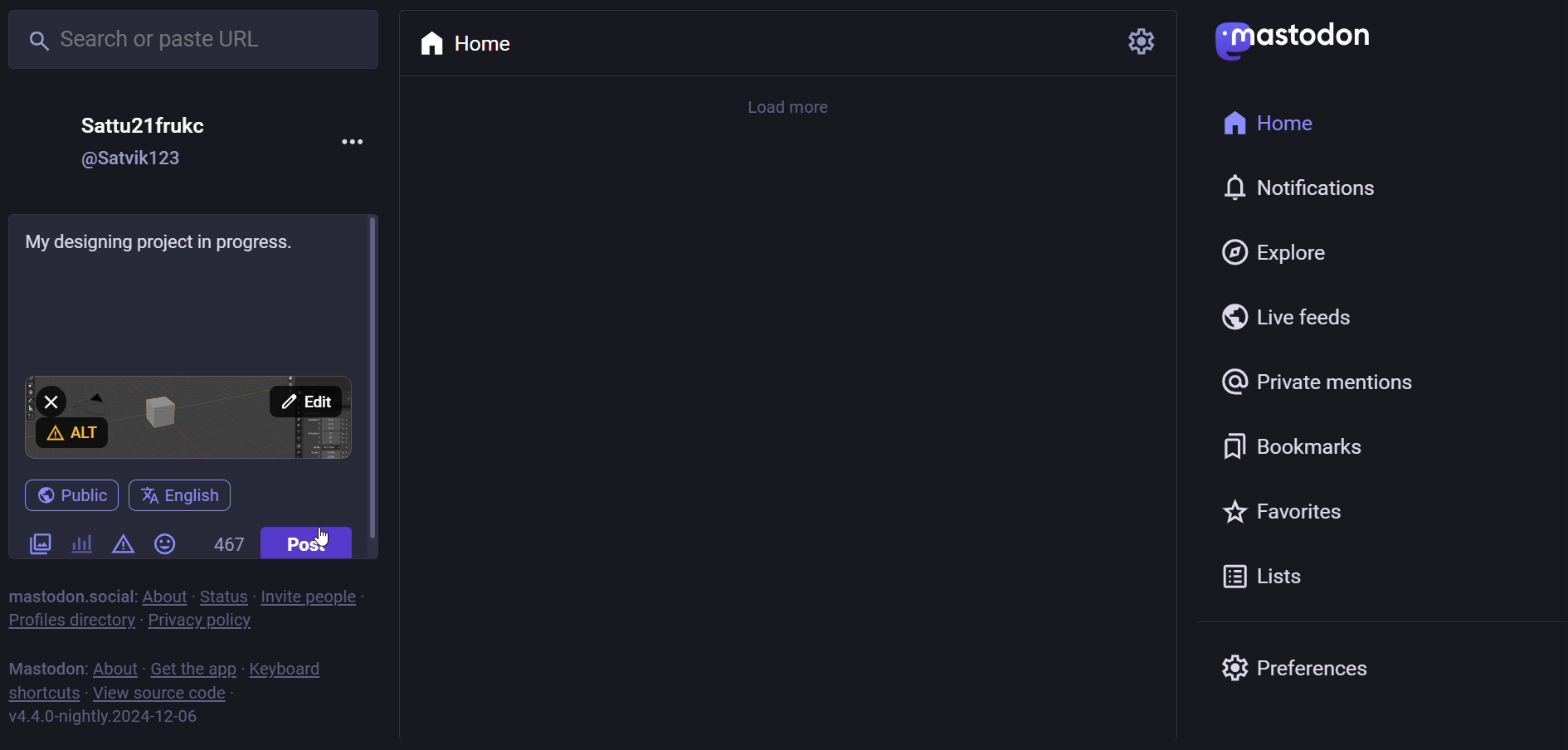  Describe the element at coordinates (134, 163) in the screenshot. I see `id` at that location.